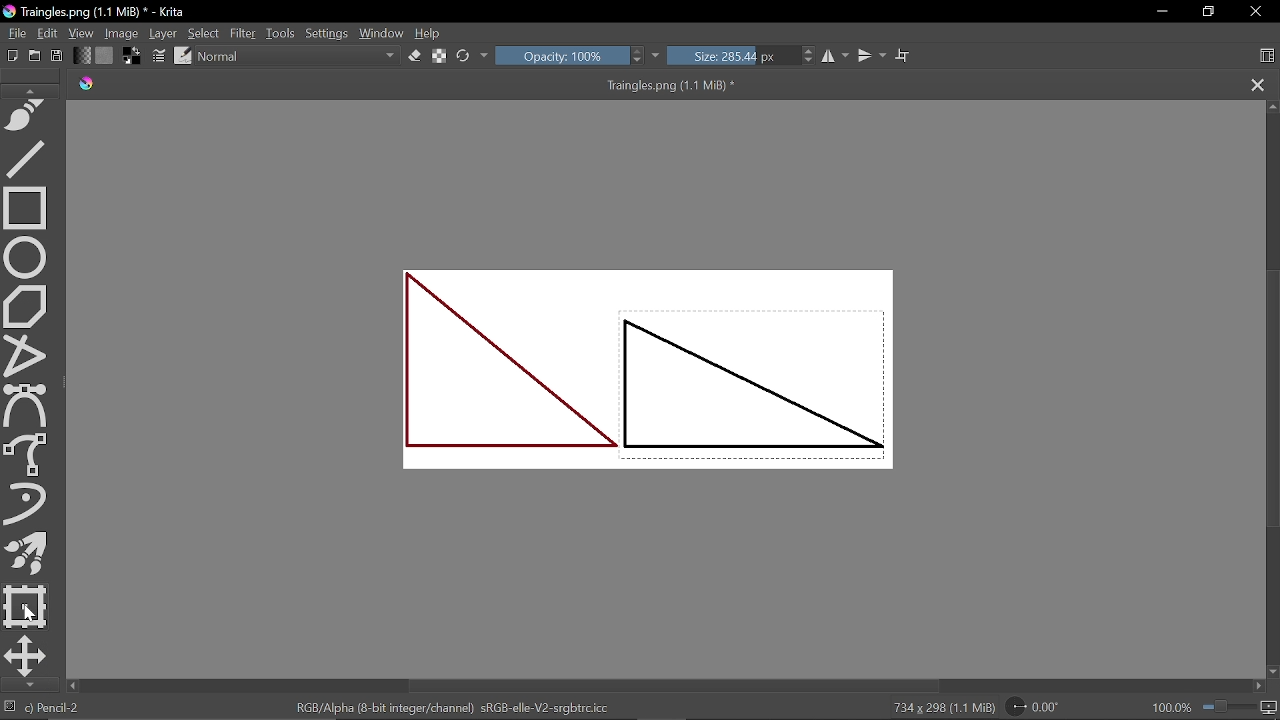 This screenshot has width=1280, height=720. Describe the element at coordinates (27, 554) in the screenshot. I see `Multibrush tool` at that location.